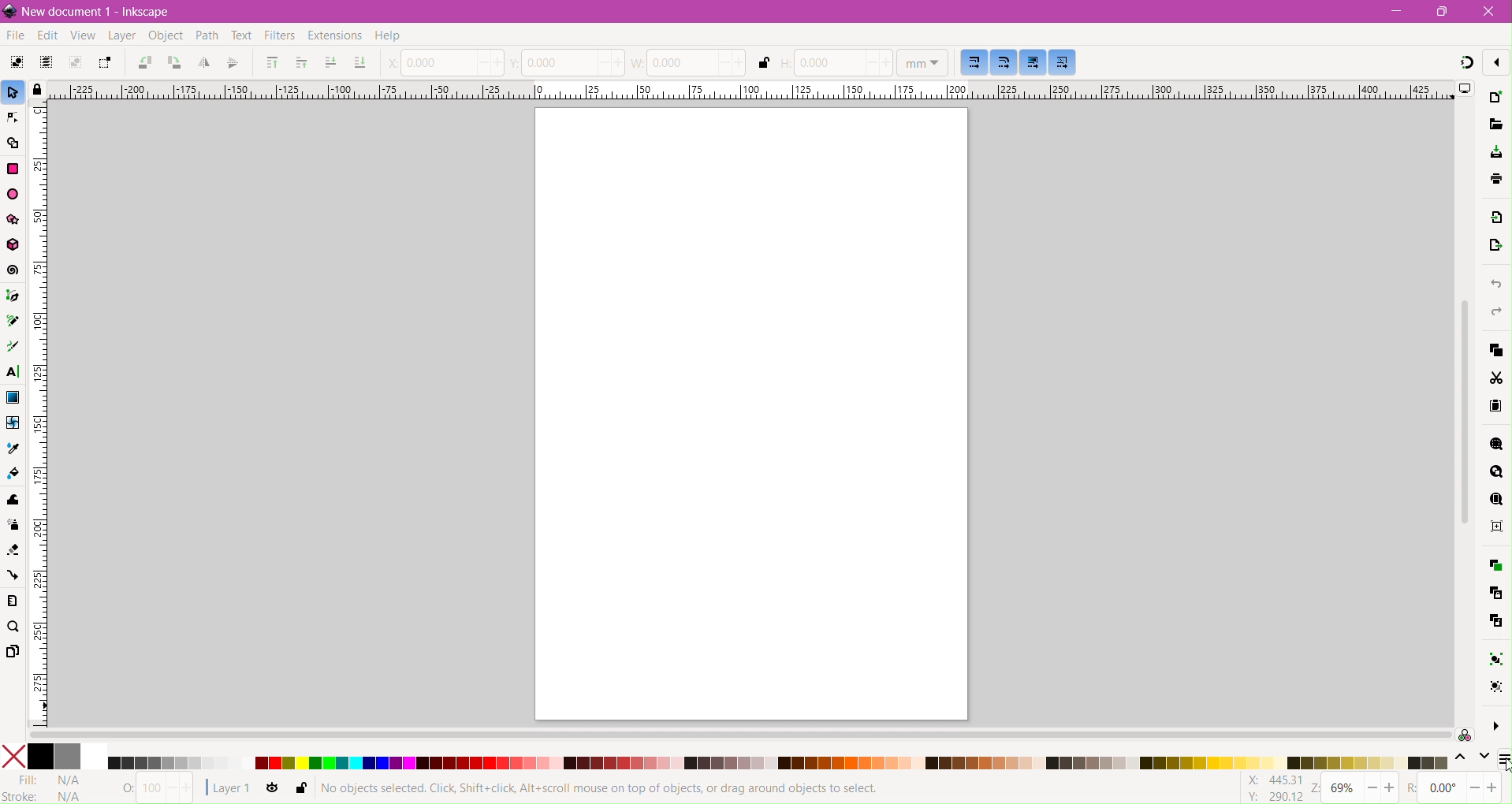 The height and width of the screenshot is (804, 1512). I want to click on Lower to Bottom, so click(359, 63).